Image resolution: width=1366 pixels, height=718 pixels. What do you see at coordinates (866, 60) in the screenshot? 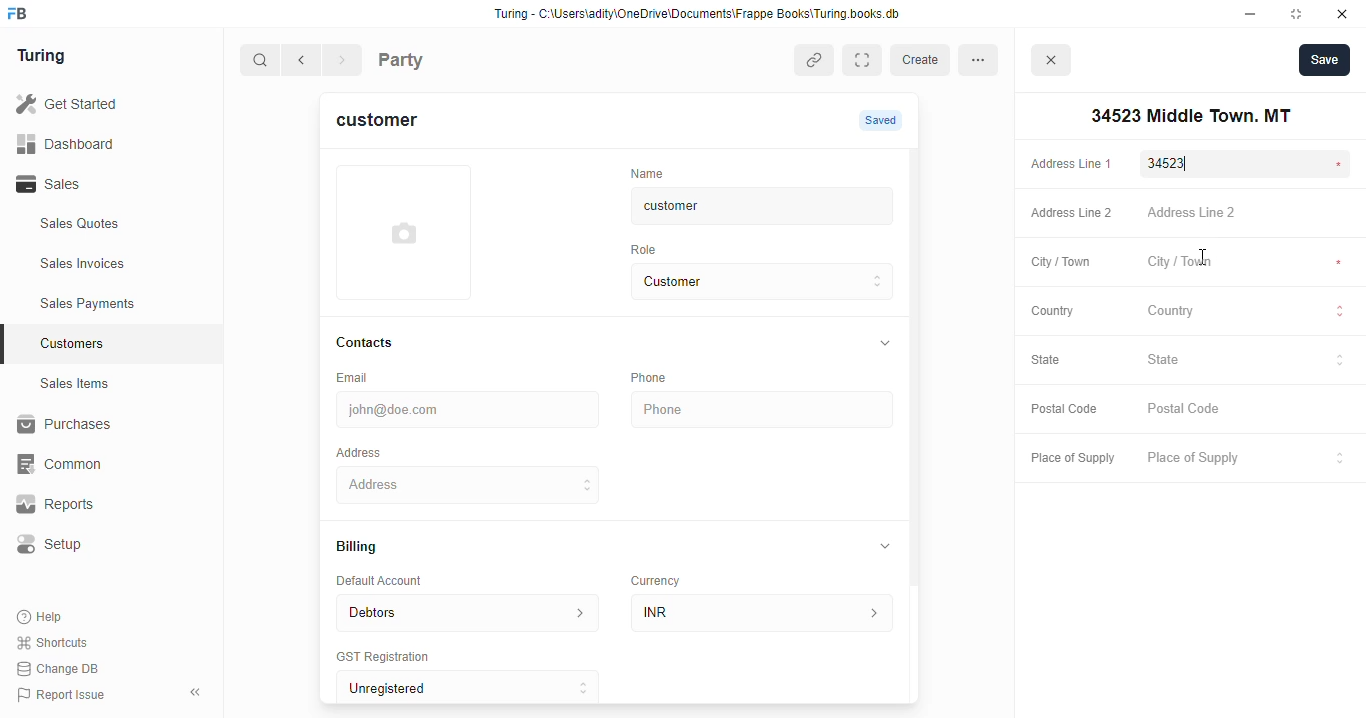
I see `Expand` at bounding box center [866, 60].